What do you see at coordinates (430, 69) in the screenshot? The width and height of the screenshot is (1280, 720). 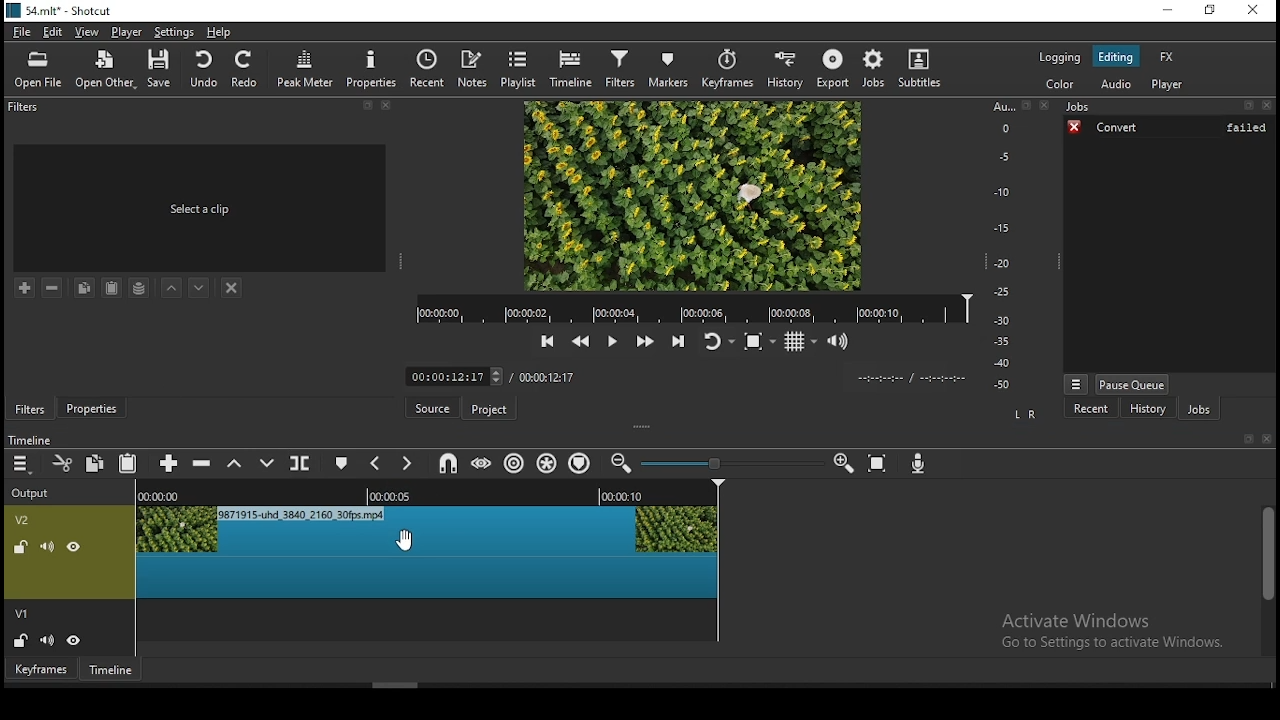 I see `recent` at bounding box center [430, 69].